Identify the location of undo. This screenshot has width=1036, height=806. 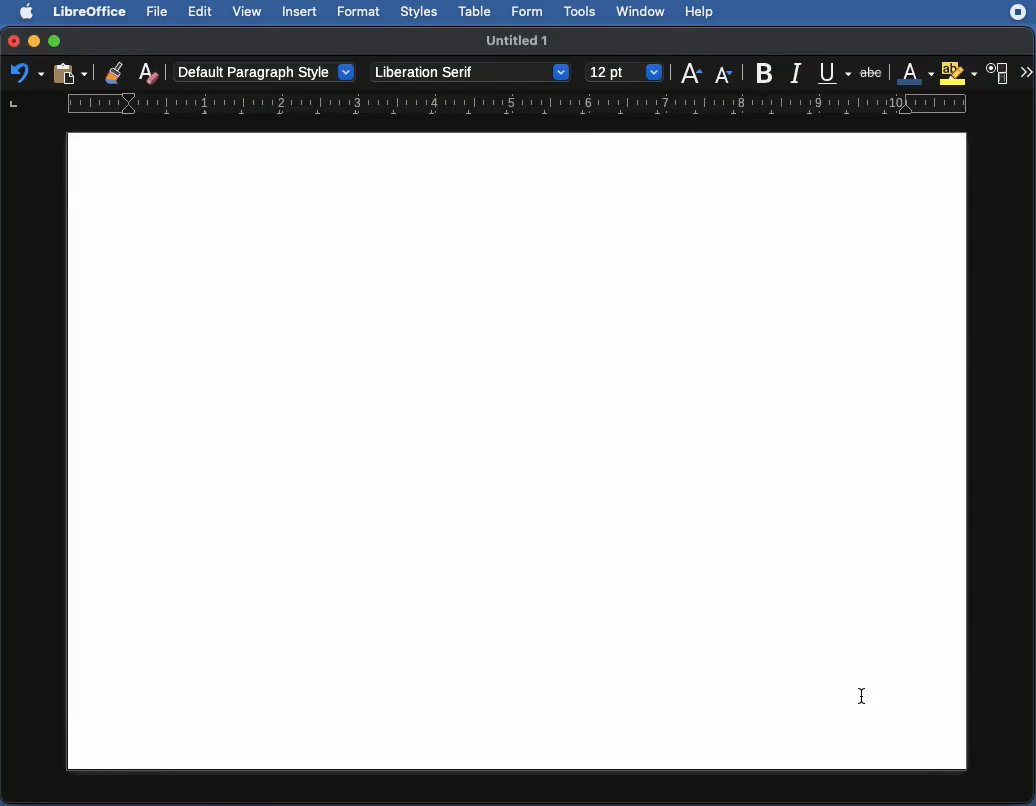
(23, 77).